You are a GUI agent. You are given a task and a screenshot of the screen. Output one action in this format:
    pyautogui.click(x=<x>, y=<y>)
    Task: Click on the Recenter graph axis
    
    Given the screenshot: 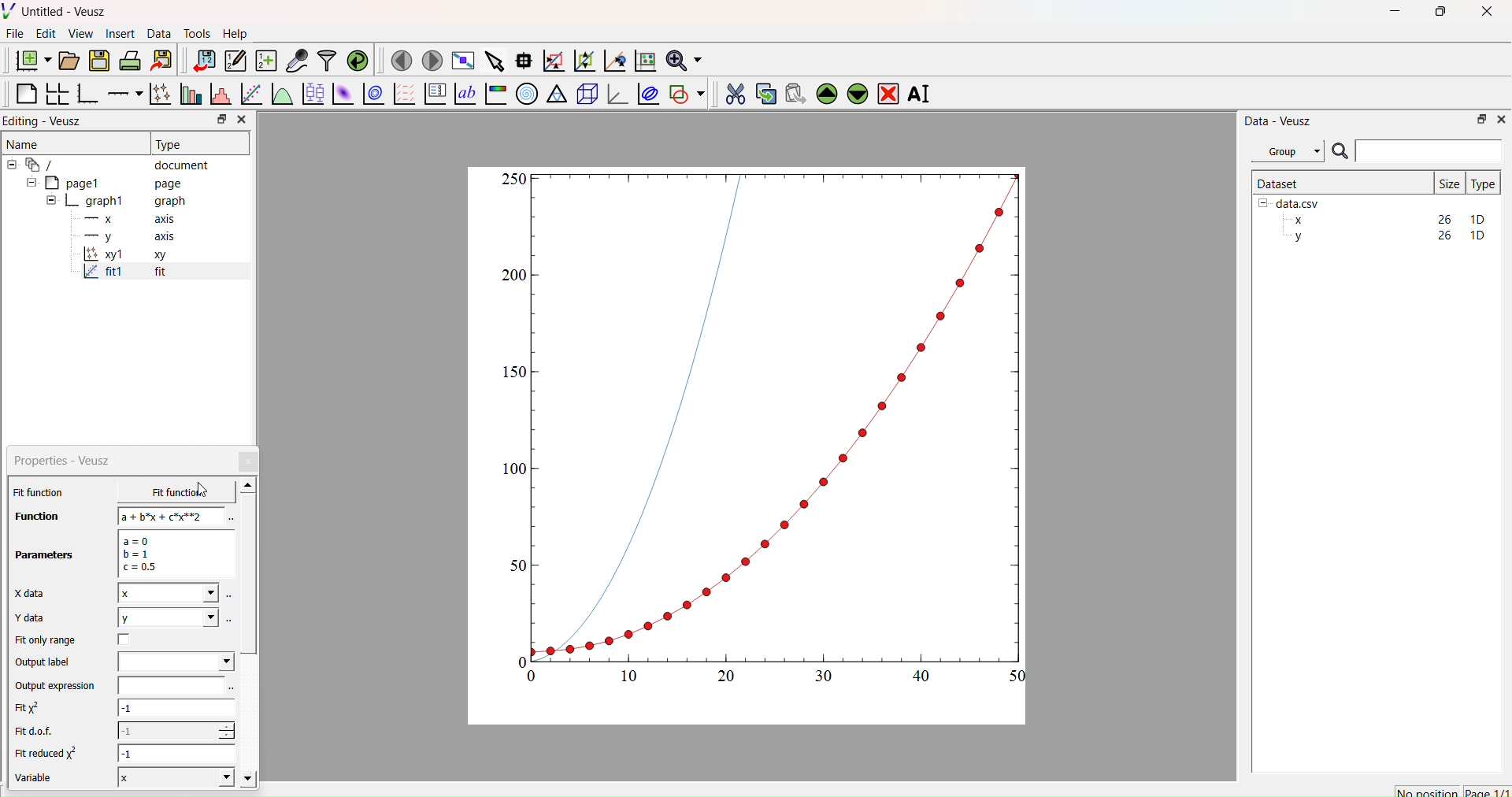 What is the action you would take?
    pyautogui.click(x=613, y=60)
    